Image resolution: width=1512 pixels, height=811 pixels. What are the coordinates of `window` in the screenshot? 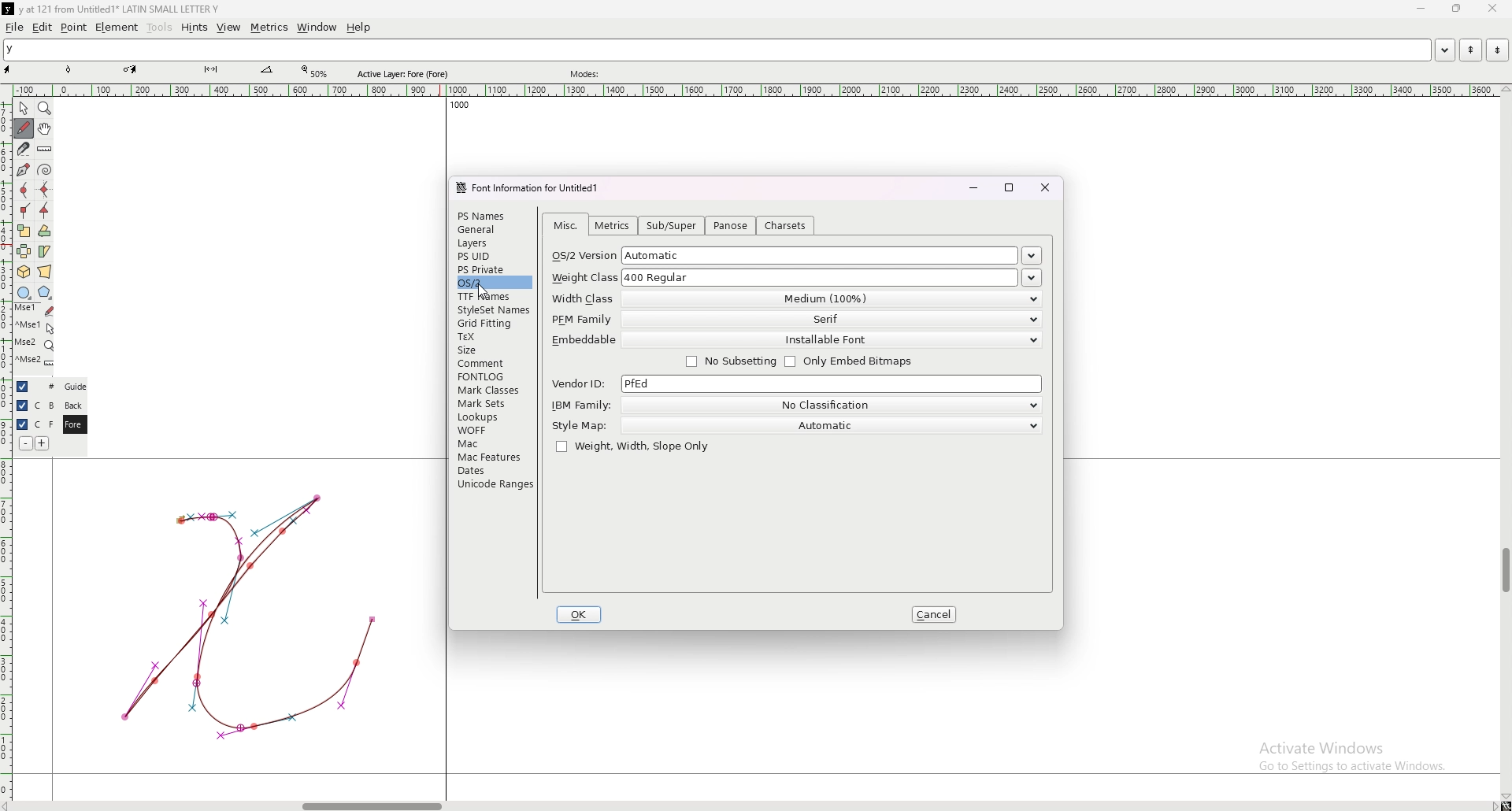 It's located at (317, 28).